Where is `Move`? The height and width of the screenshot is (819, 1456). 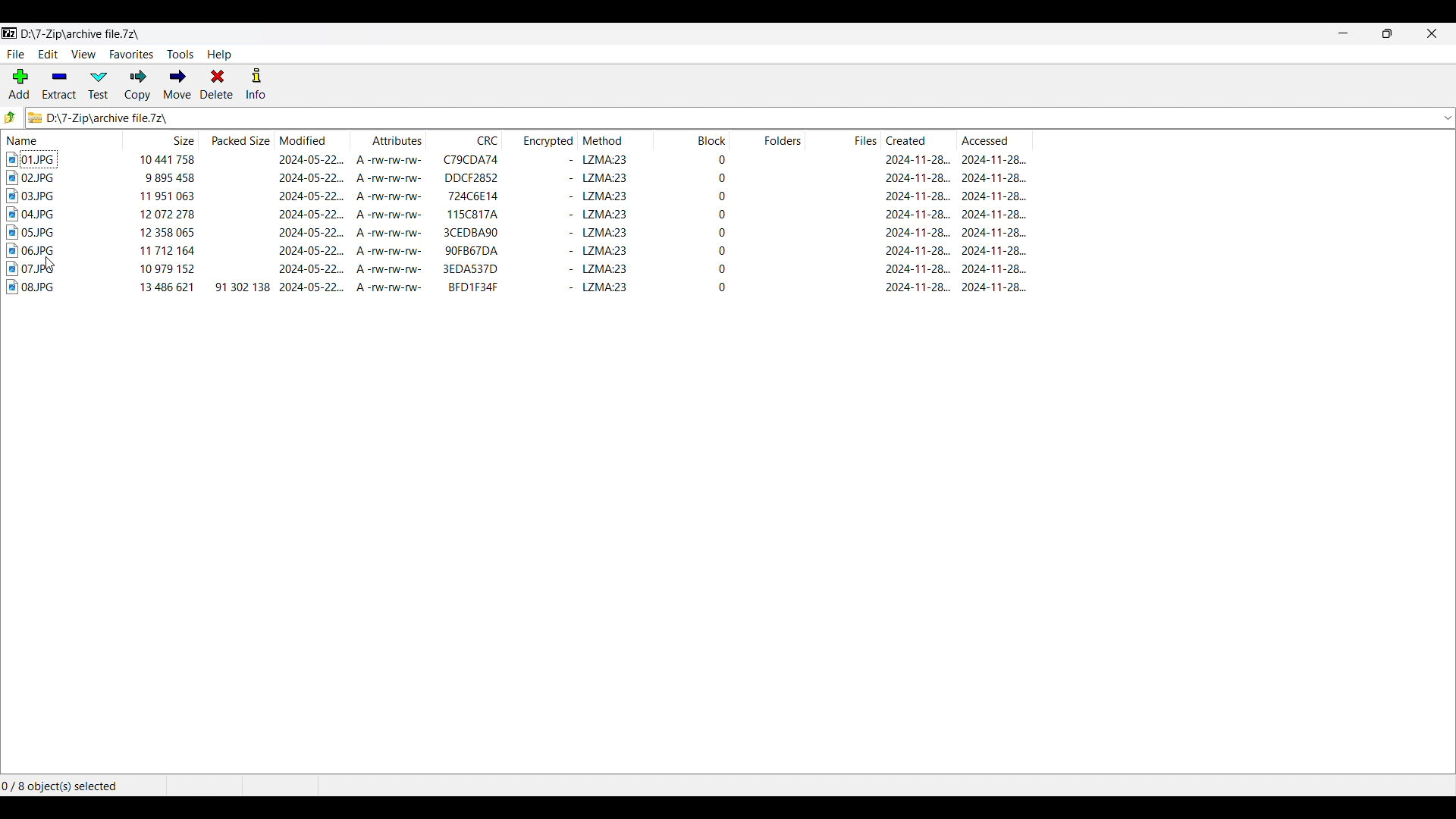 Move is located at coordinates (177, 85).